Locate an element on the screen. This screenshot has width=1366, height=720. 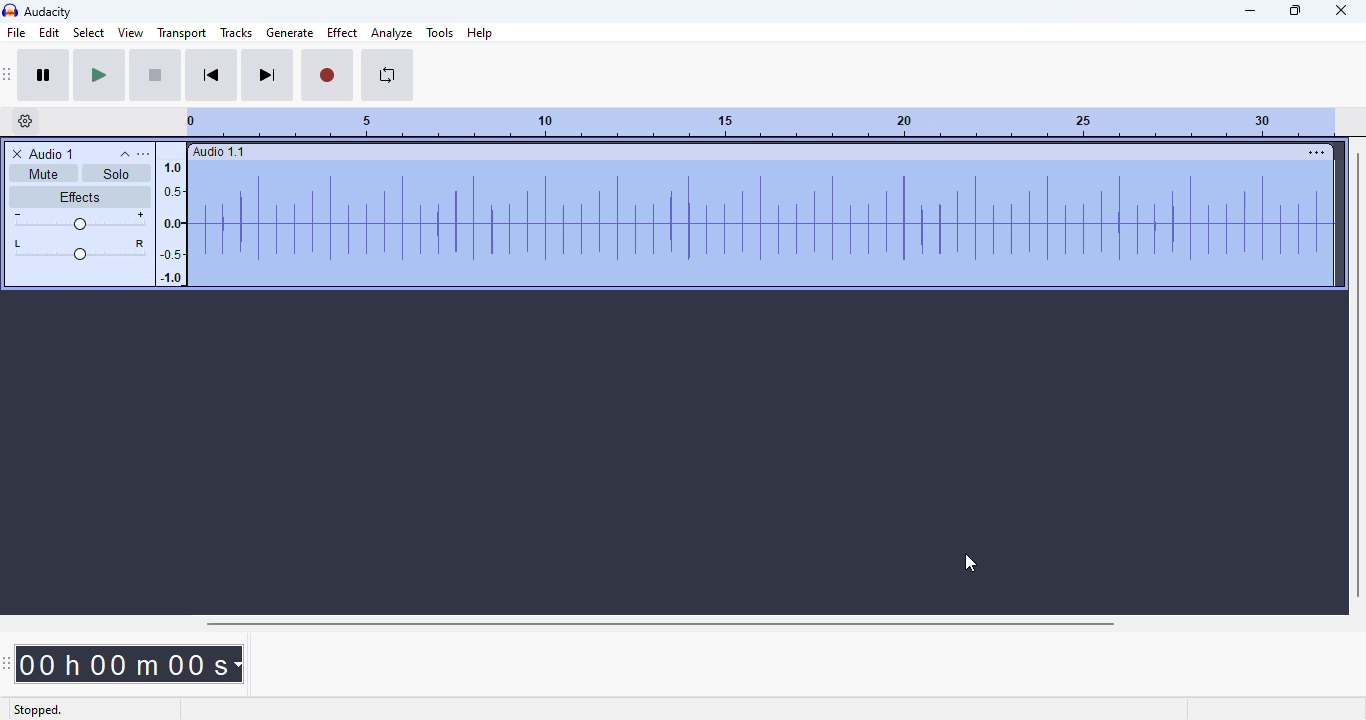
audio 1 is located at coordinates (53, 154).